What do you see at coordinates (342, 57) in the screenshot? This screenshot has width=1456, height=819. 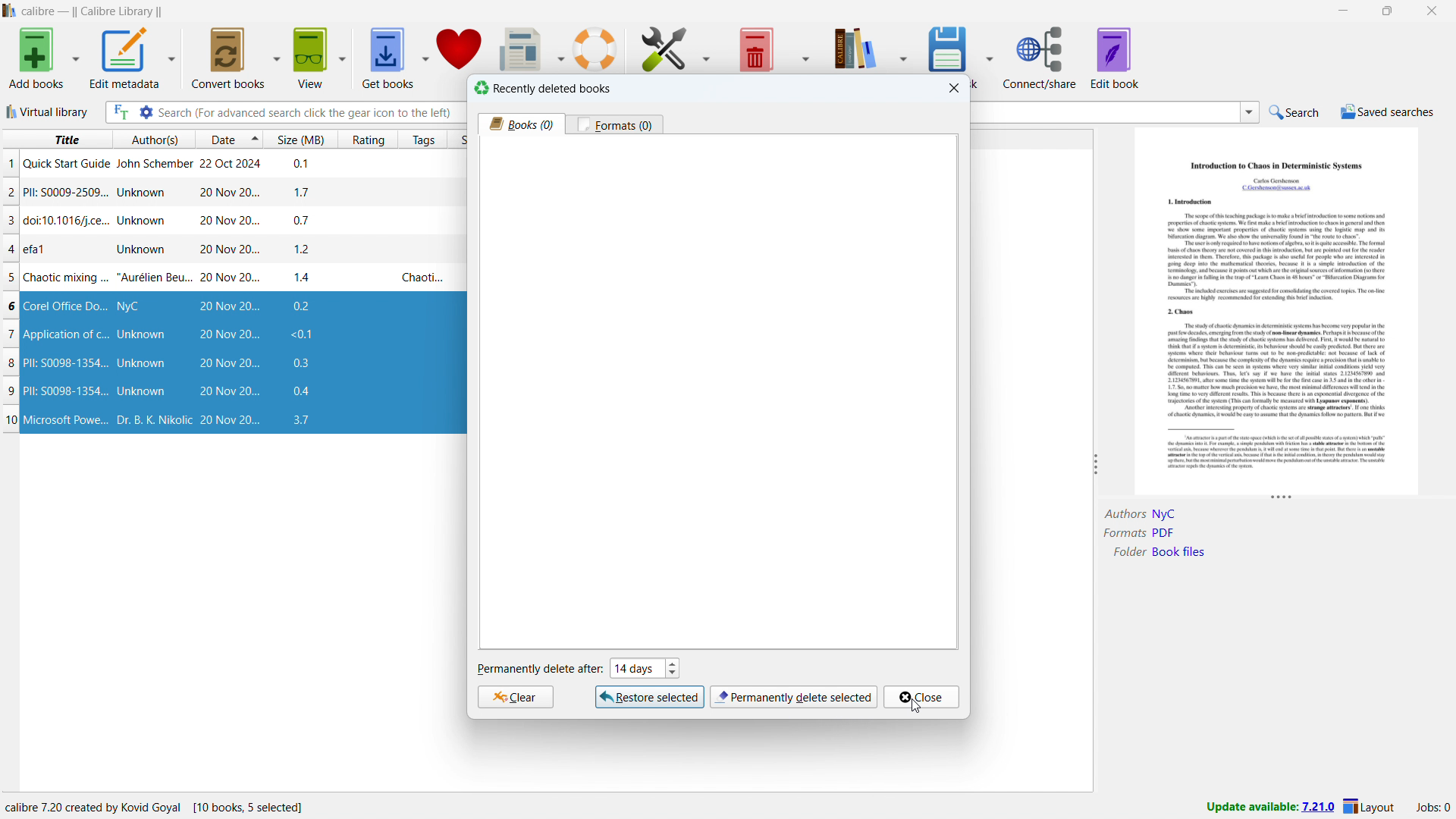 I see `view options` at bounding box center [342, 57].